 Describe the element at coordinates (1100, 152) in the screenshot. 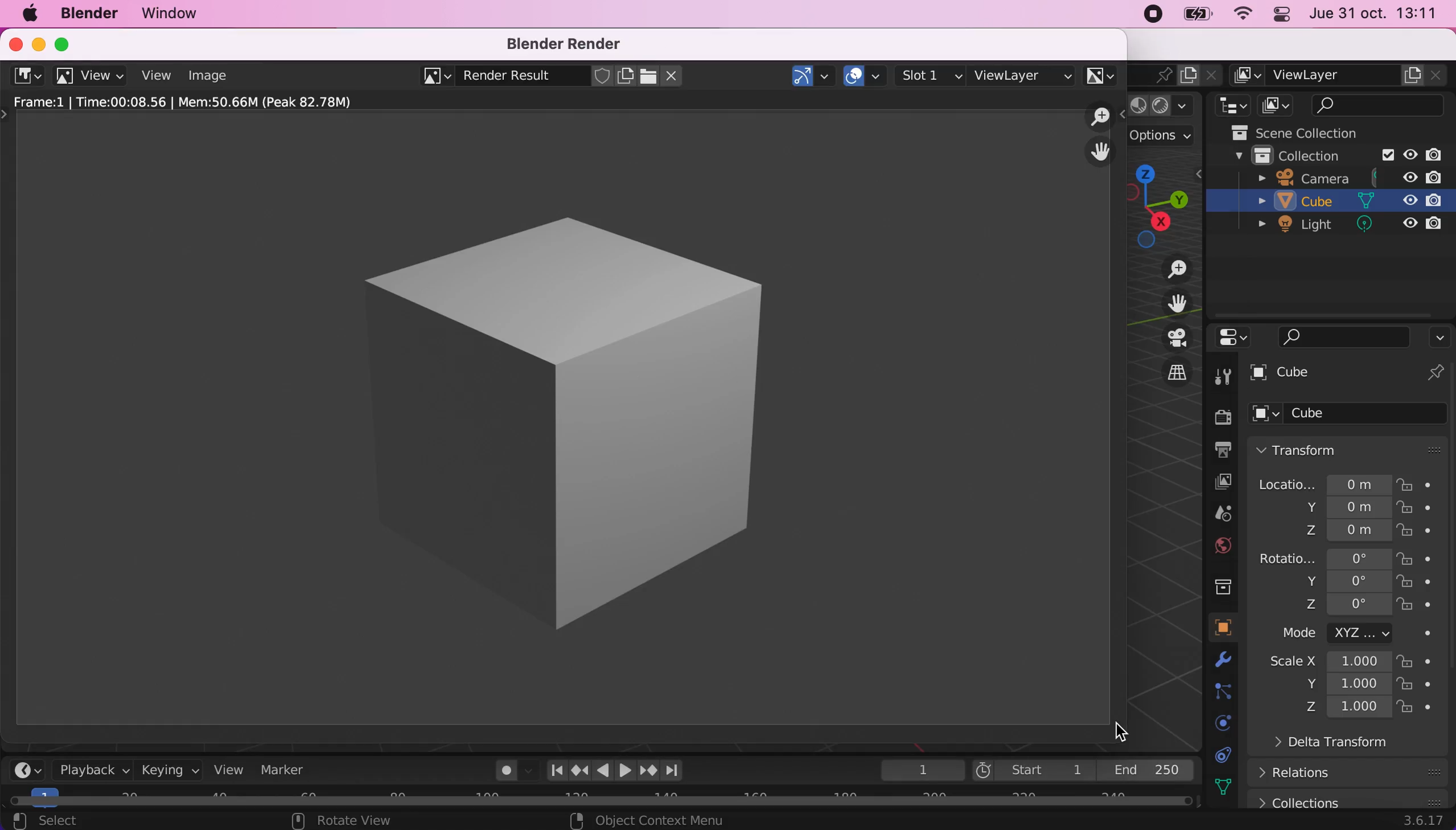

I see `move the view` at that location.